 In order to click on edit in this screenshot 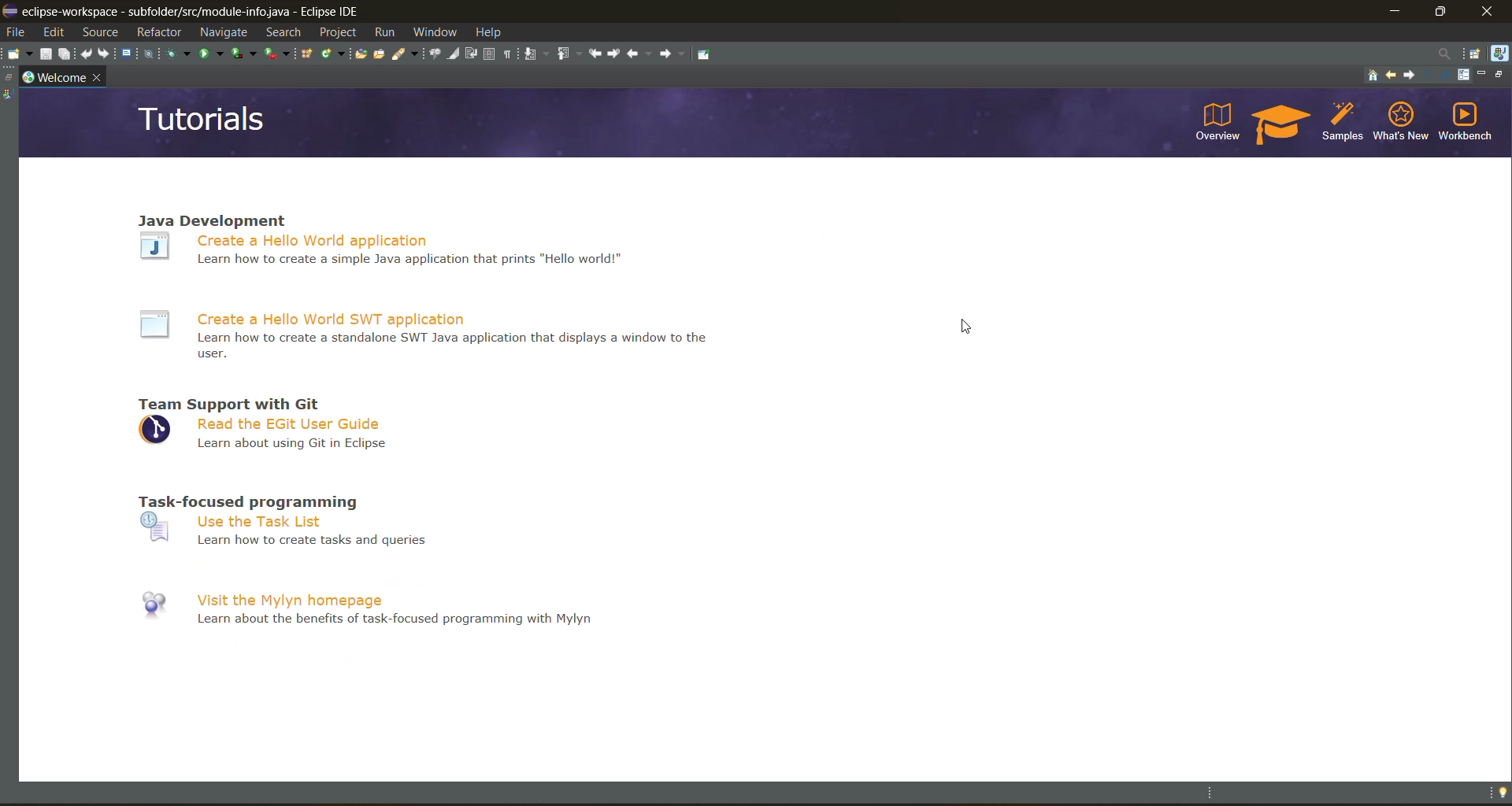, I will do `click(57, 33)`.